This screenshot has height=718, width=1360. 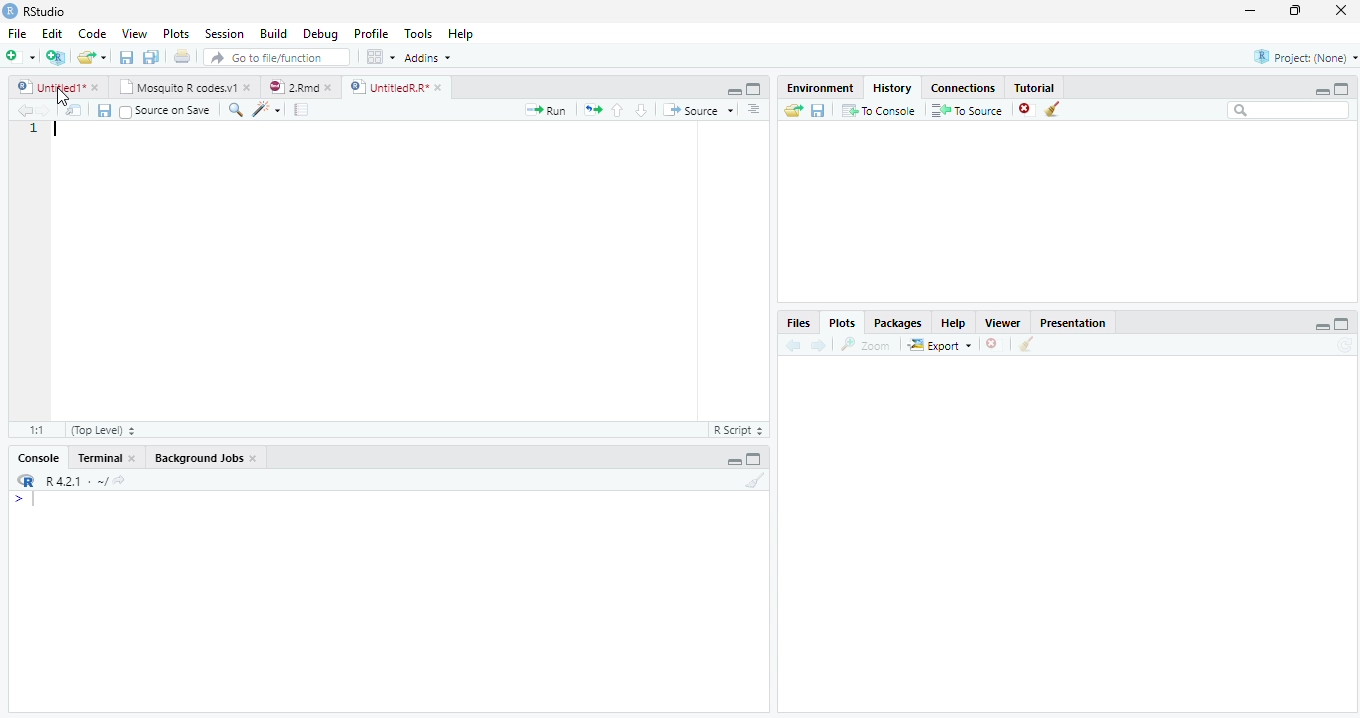 I want to click on Top level, so click(x=99, y=431).